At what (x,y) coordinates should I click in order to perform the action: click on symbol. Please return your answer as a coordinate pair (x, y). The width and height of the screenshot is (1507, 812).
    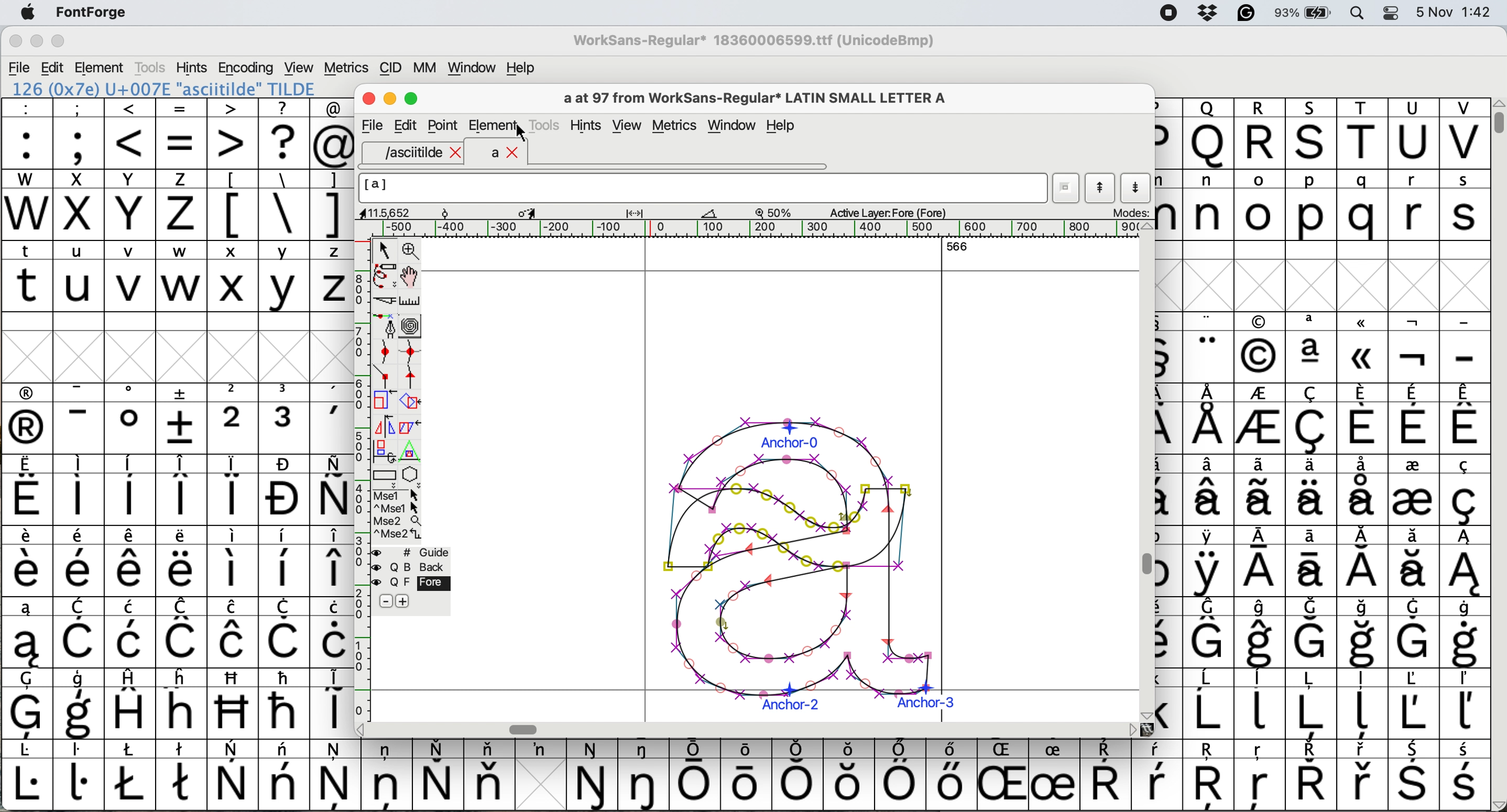
    Looking at the image, I should click on (27, 776).